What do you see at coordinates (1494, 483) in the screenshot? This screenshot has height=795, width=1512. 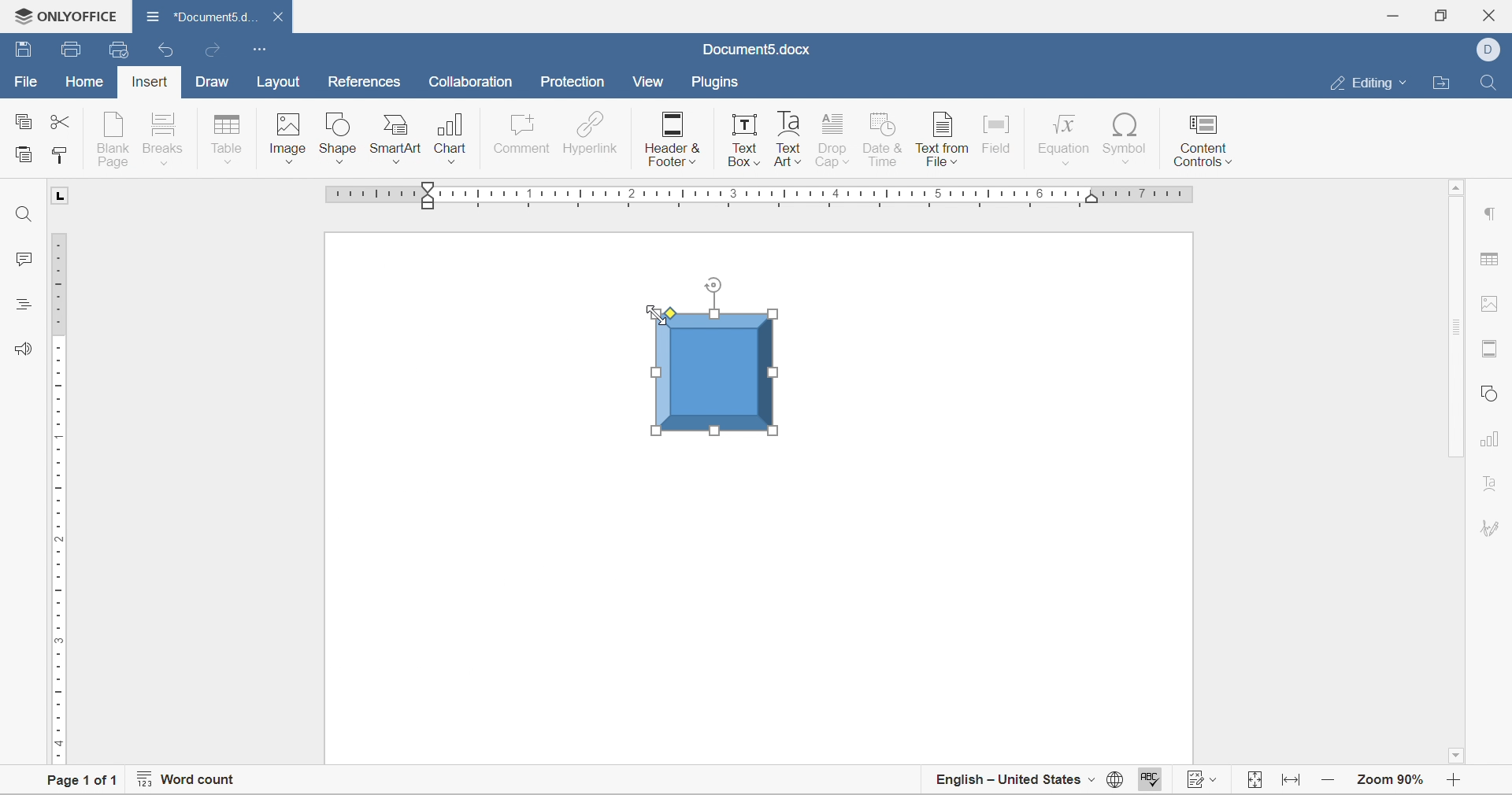 I see `text art settings` at bounding box center [1494, 483].